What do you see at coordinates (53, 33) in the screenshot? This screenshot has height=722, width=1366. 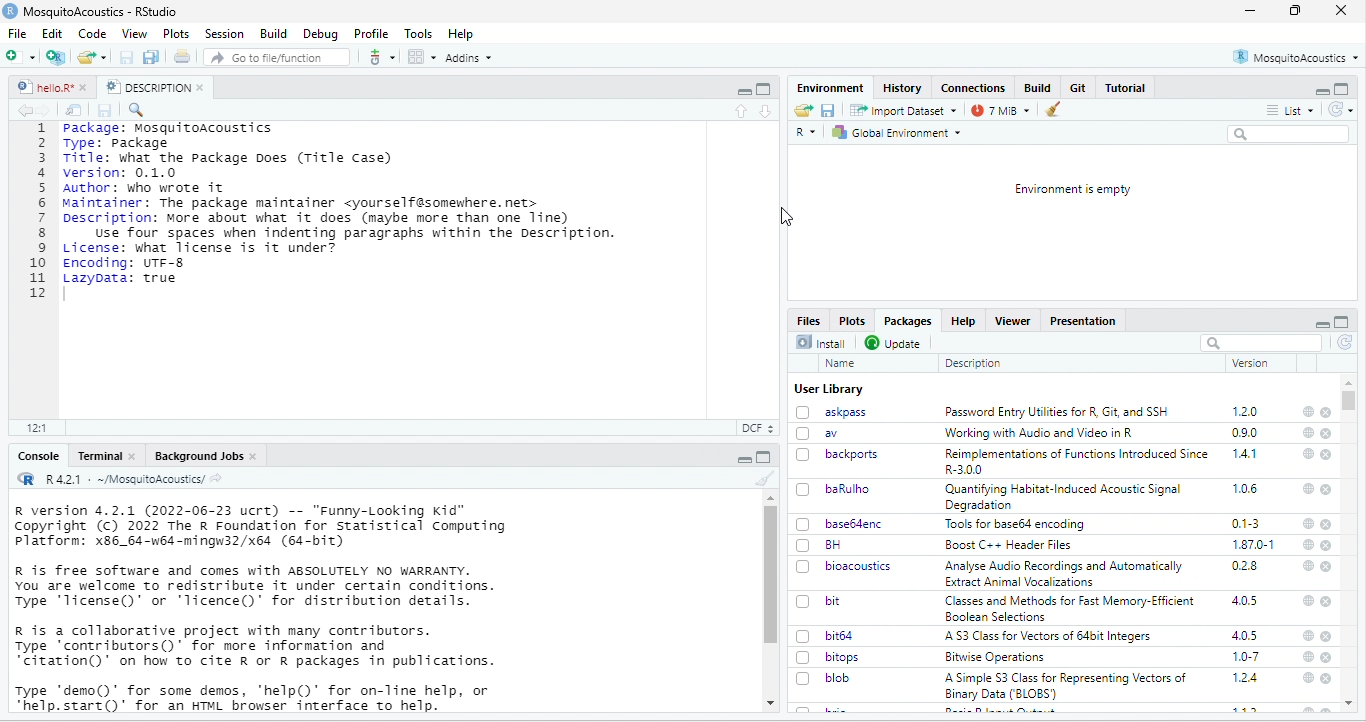 I see `Edit` at bounding box center [53, 33].